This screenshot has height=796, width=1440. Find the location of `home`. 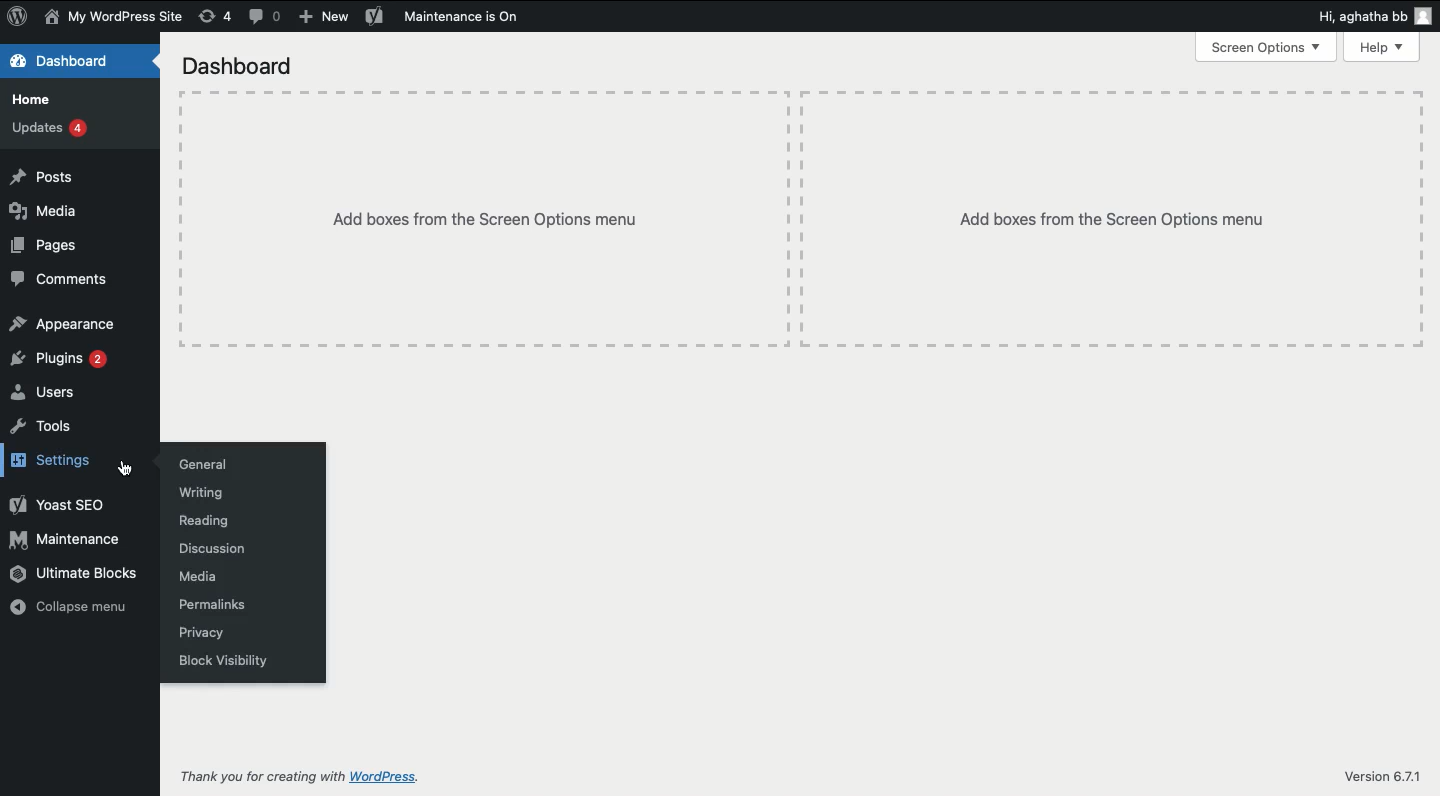

home is located at coordinates (33, 99).